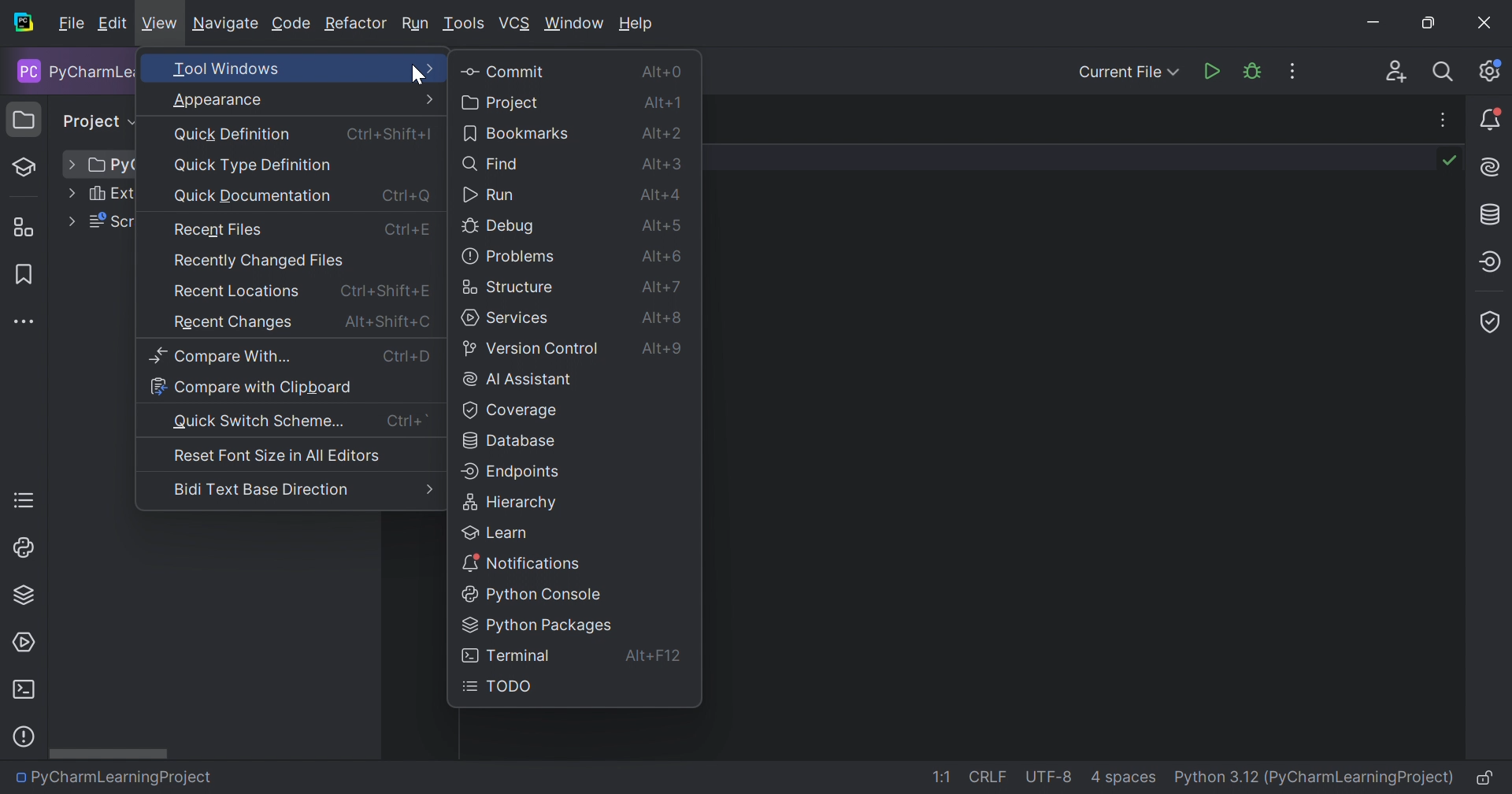 The image size is (1512, 794). Describe the element at coordinates (112, 754) in the screenshot. I see `Scroll bar` at that location.